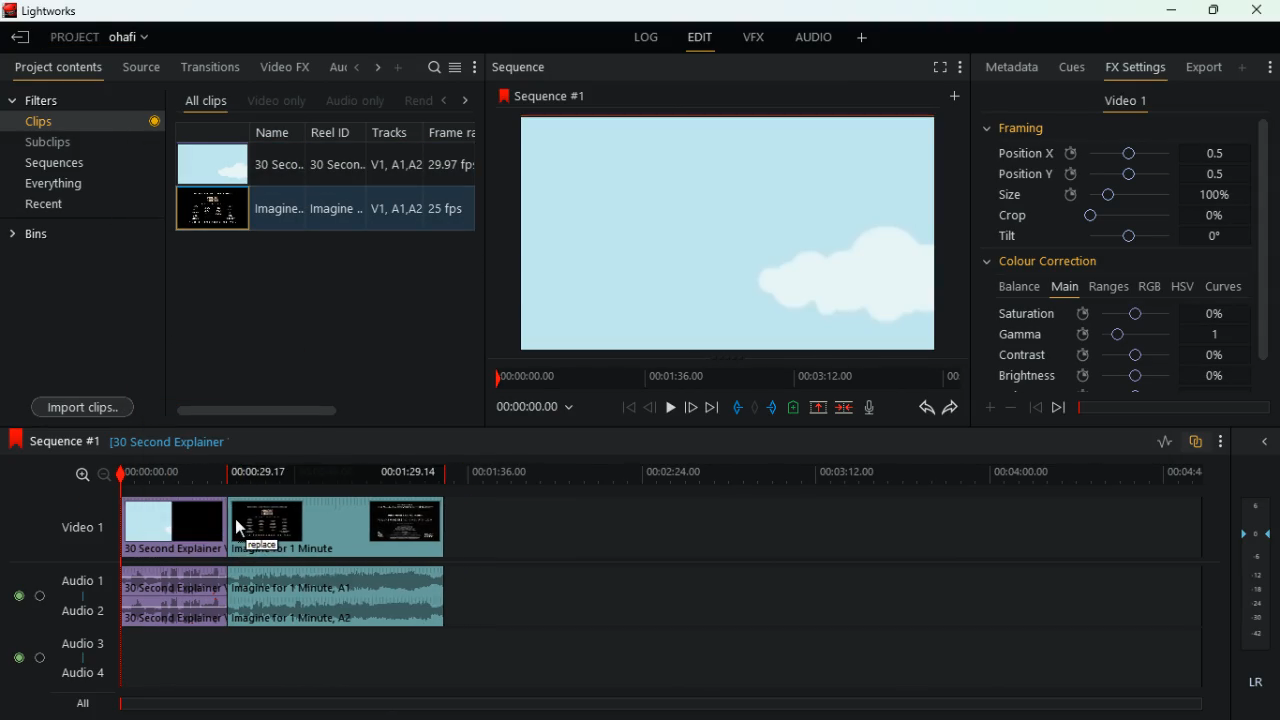 This screenshot has height=720, width=1280. Describe the element at coordinates (725, 378) in the screenshot. I see `time` at that location.